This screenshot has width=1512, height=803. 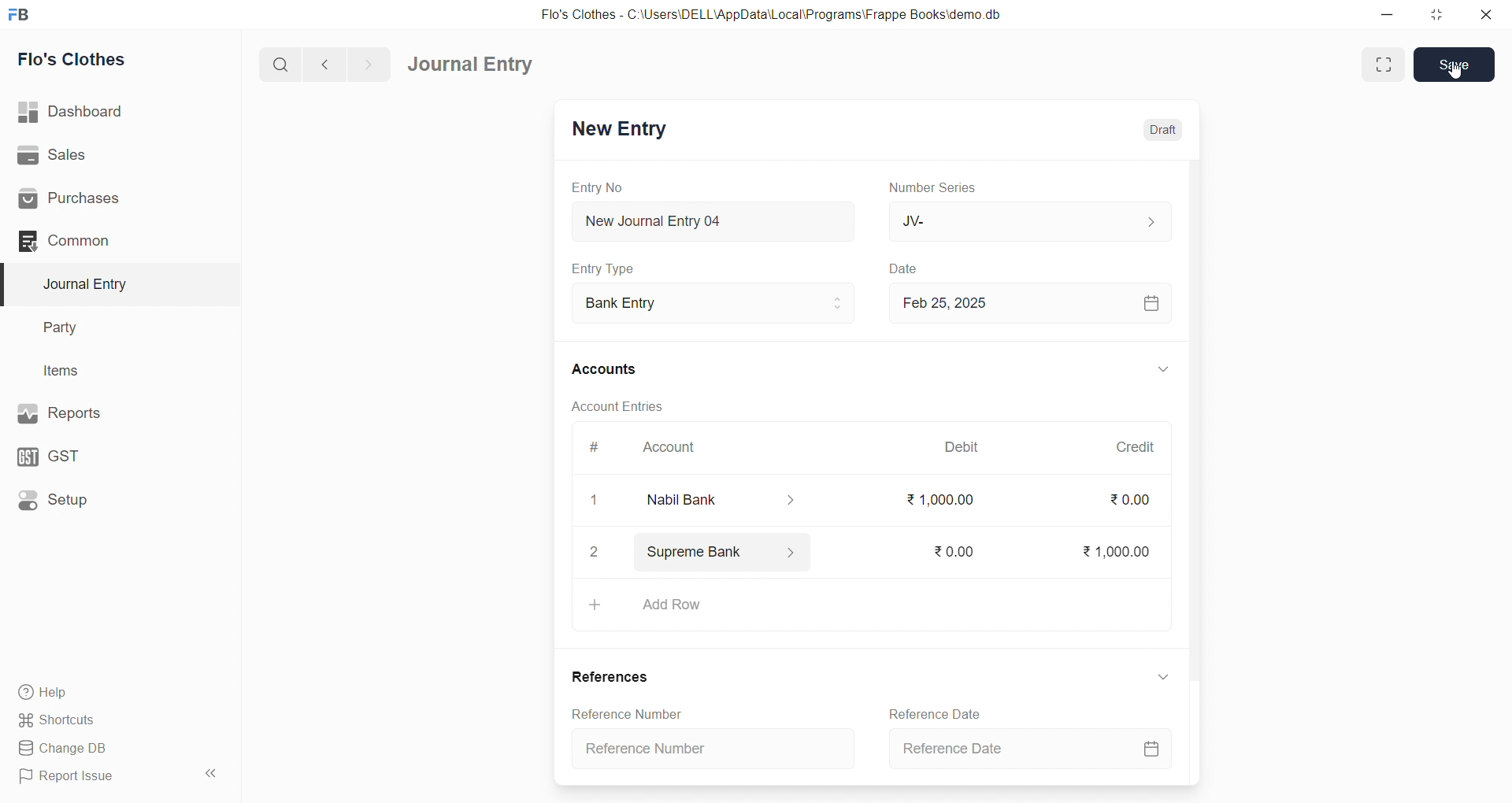 What do you see at coordinates (1455, 75) in the screenshot?
I see `cursor` at bounding box center [1455, 75].